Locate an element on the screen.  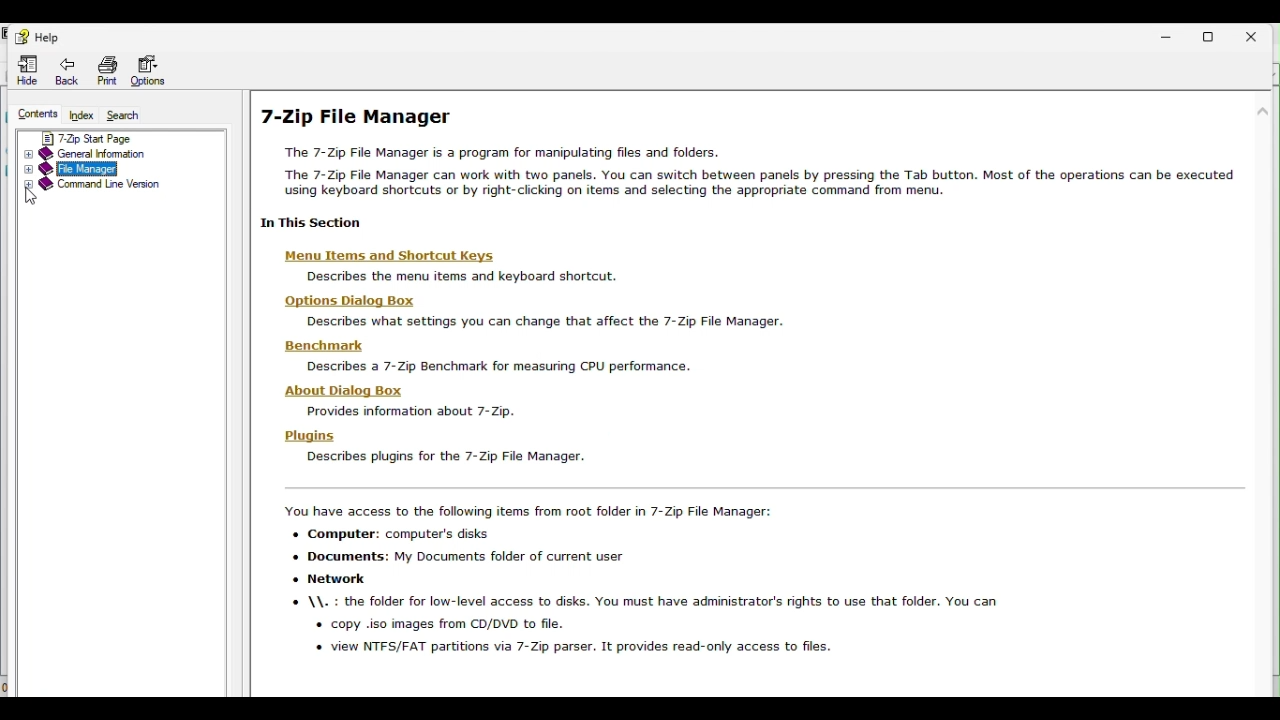
file manager is located at coordinates (80, 169).